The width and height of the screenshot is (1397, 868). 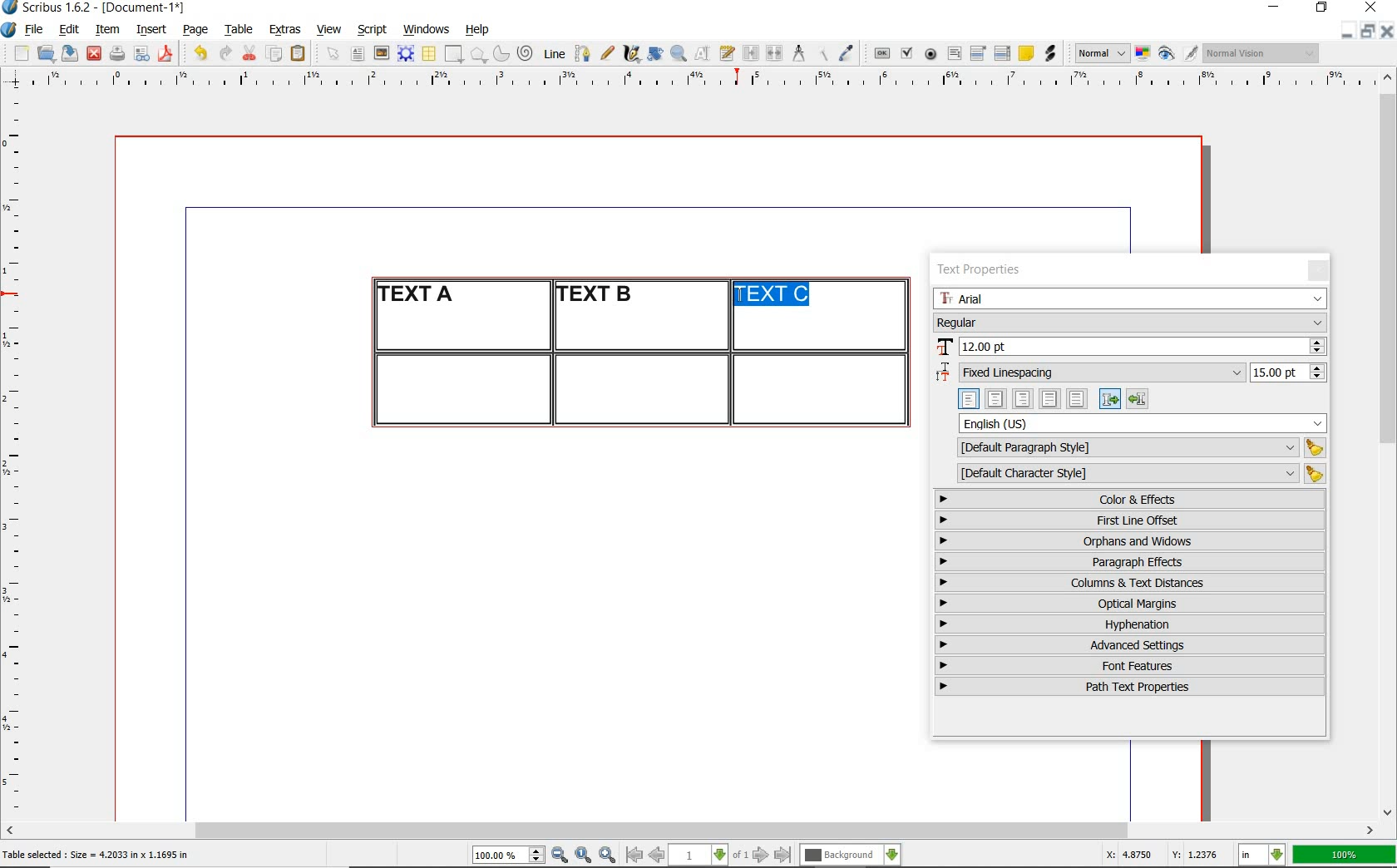 What do you see at coordinates (1136, 474) in the screenshot?
I see `default character style` at bounding box center [1136, 474].